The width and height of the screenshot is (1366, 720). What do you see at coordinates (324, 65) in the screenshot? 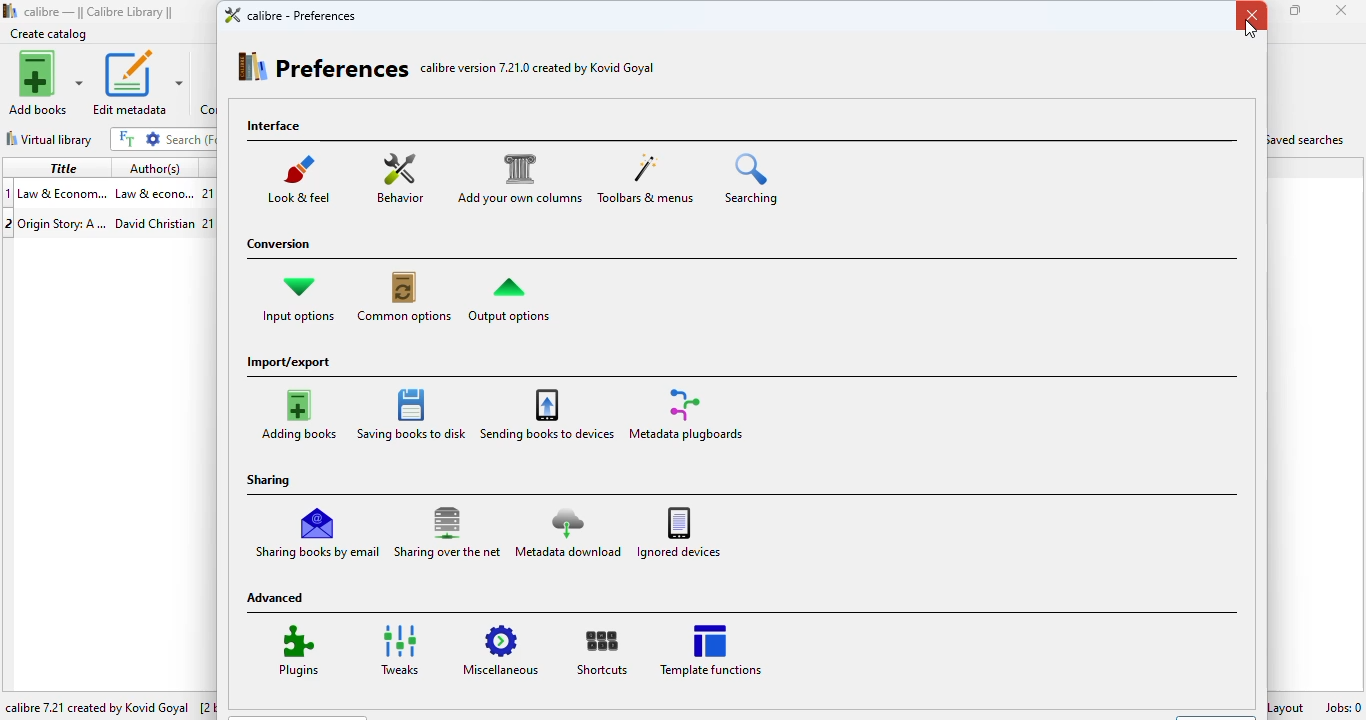
I see `preferences` at bounding box center [324, 65].